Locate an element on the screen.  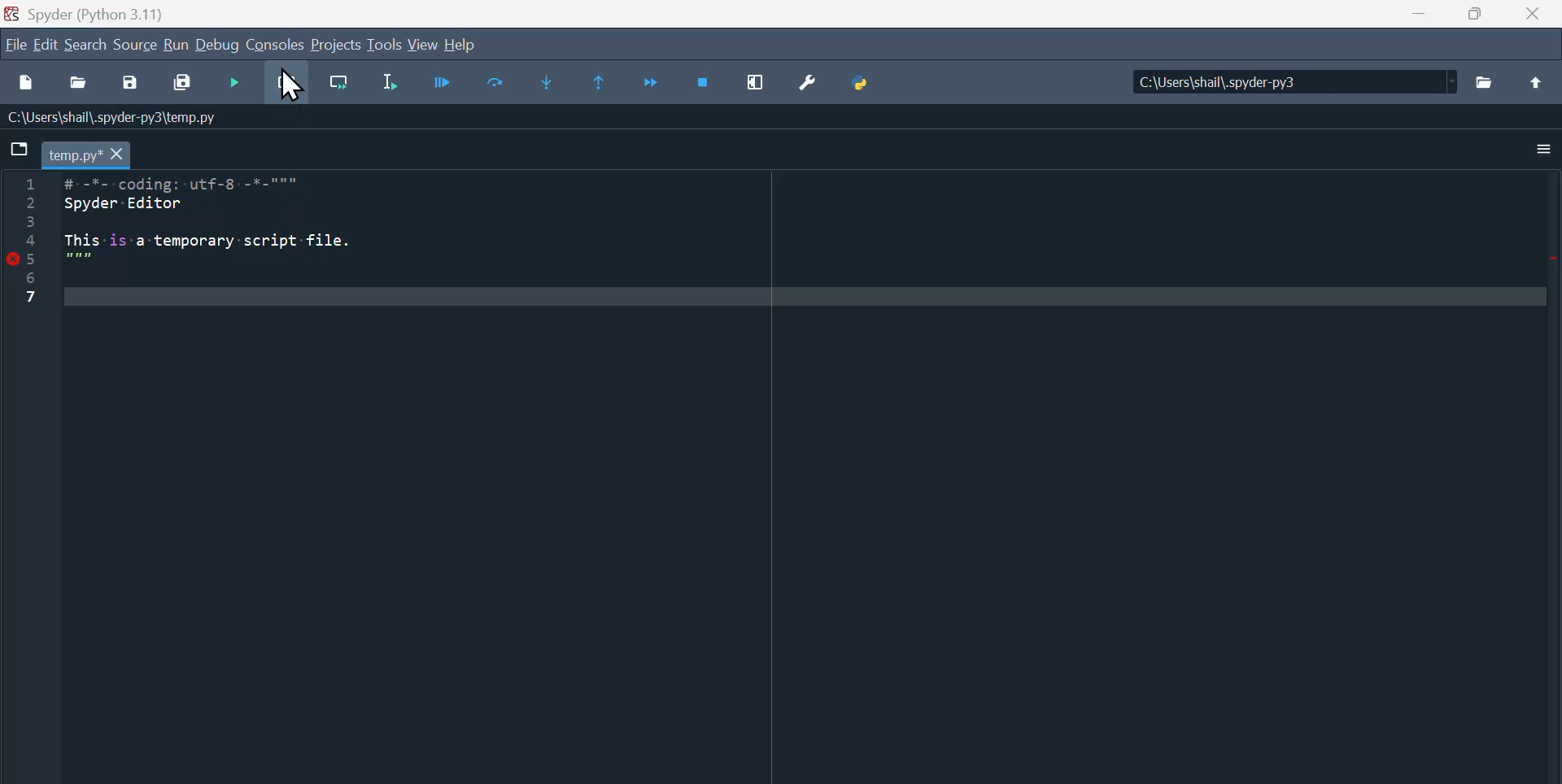
search is located at coordinates (87, 44).